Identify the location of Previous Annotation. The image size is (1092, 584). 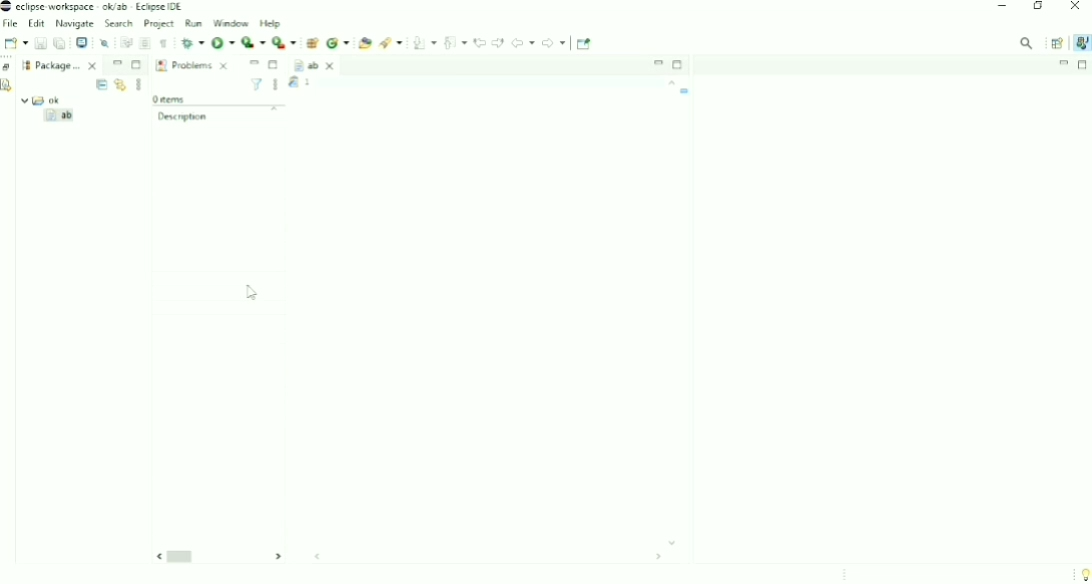
(456, 42).